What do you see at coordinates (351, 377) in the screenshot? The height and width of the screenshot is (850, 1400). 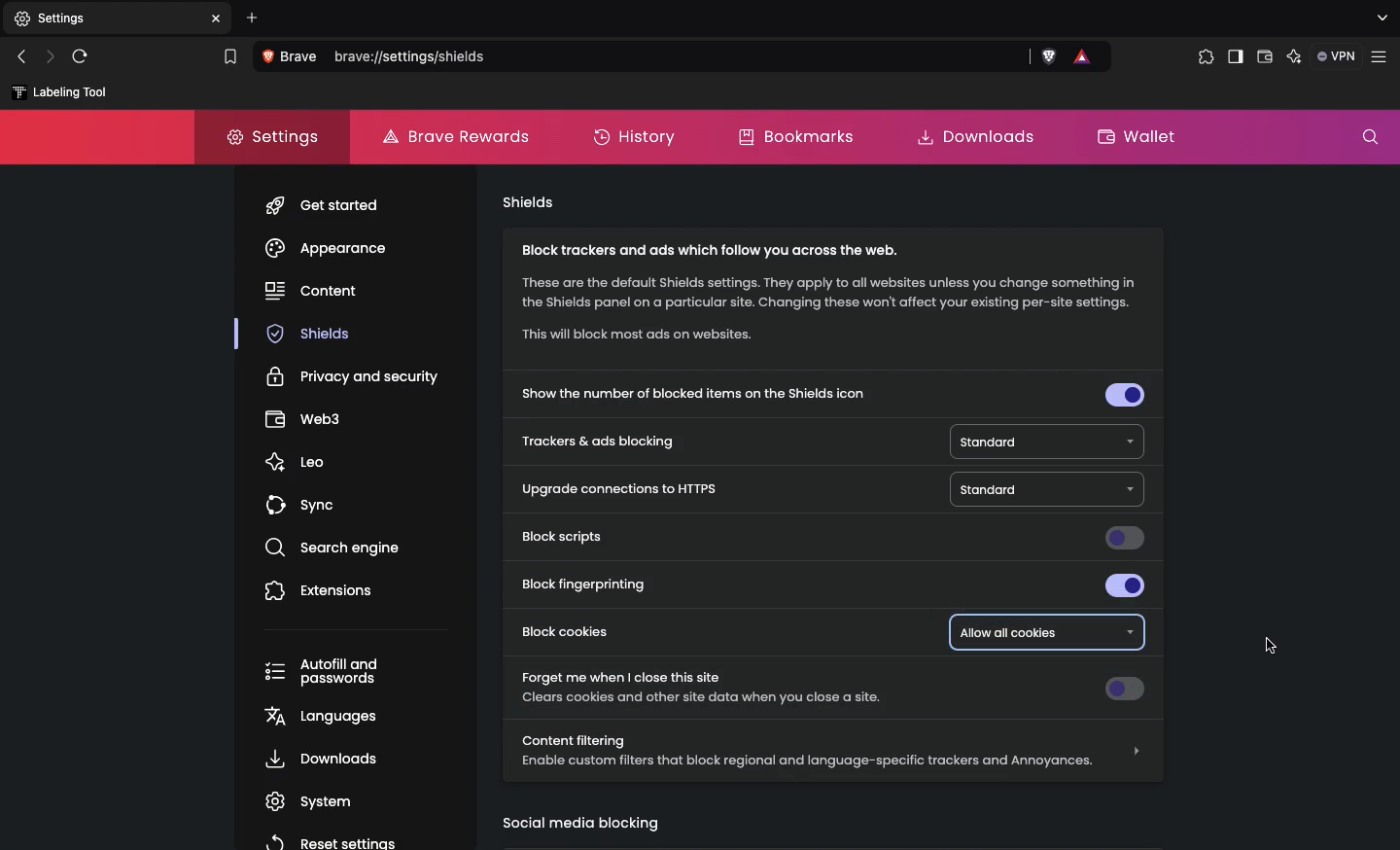 I see `Privacy and security` at bounding box center [351, 377].